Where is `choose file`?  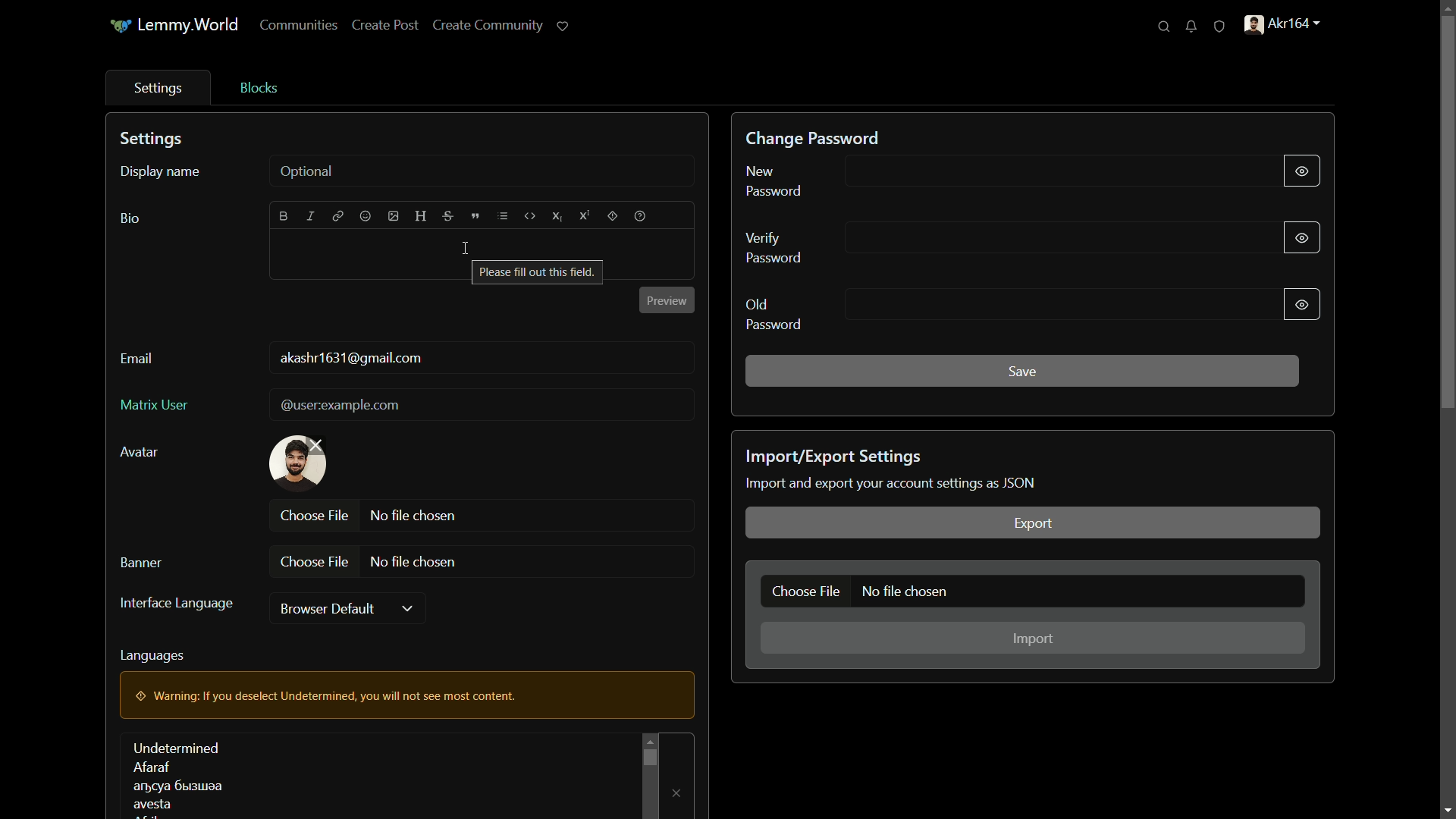 choose file is located at coordinates (315, 516).